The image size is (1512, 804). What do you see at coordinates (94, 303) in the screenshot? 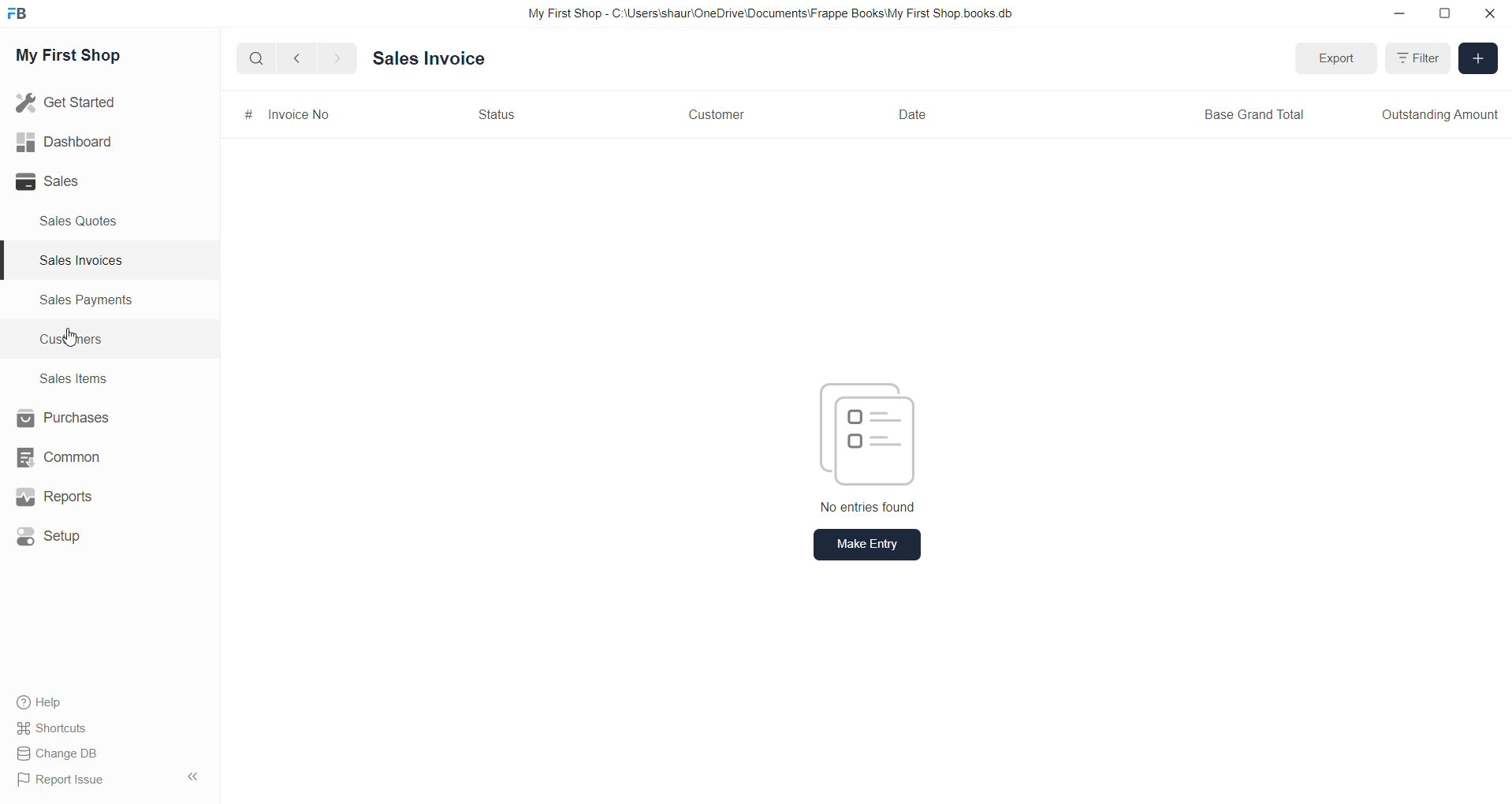
I see `sales payments` at bounding box center [94, 303].